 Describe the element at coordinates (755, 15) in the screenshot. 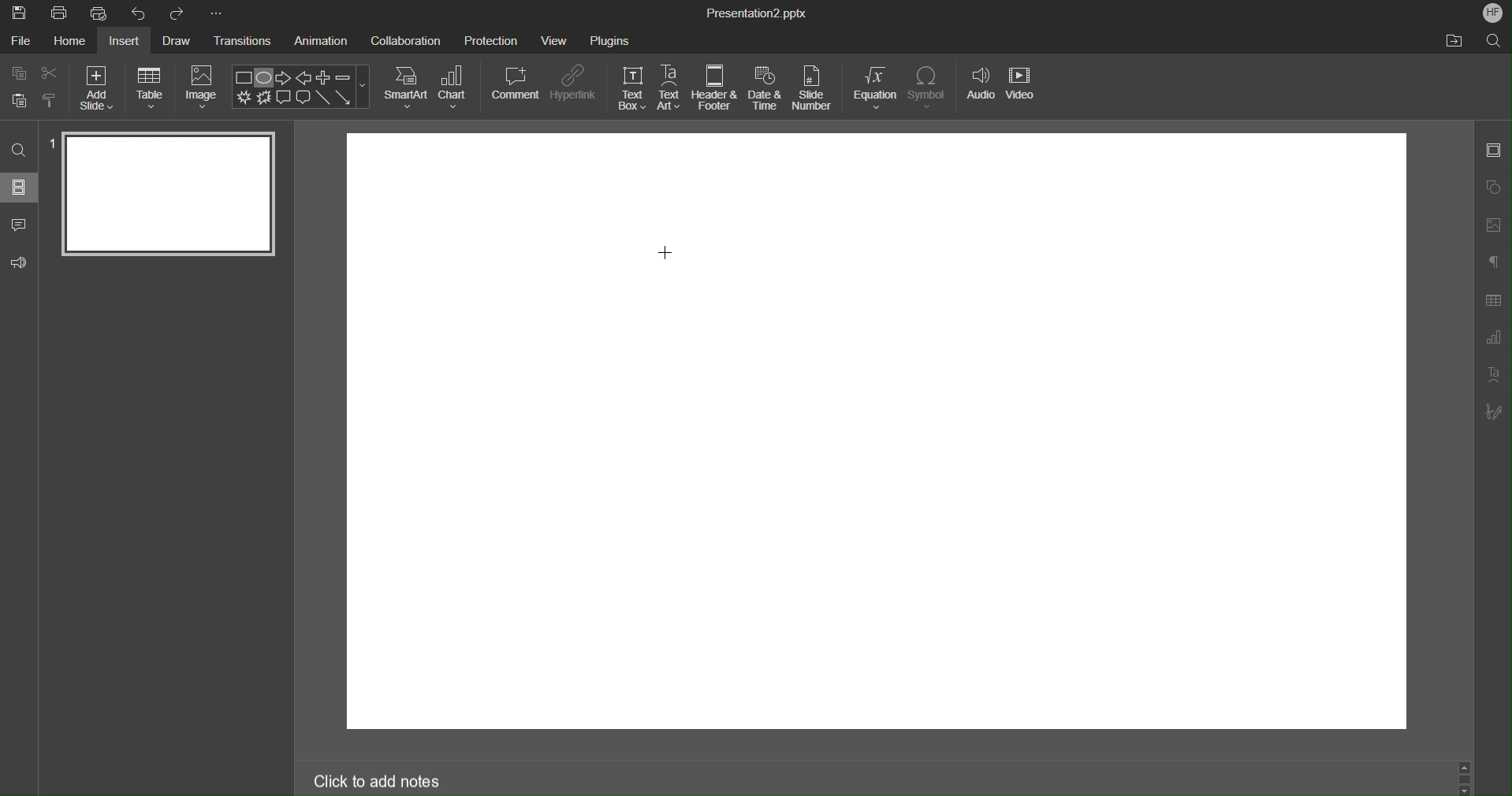

I see `Presentation2` at that location.